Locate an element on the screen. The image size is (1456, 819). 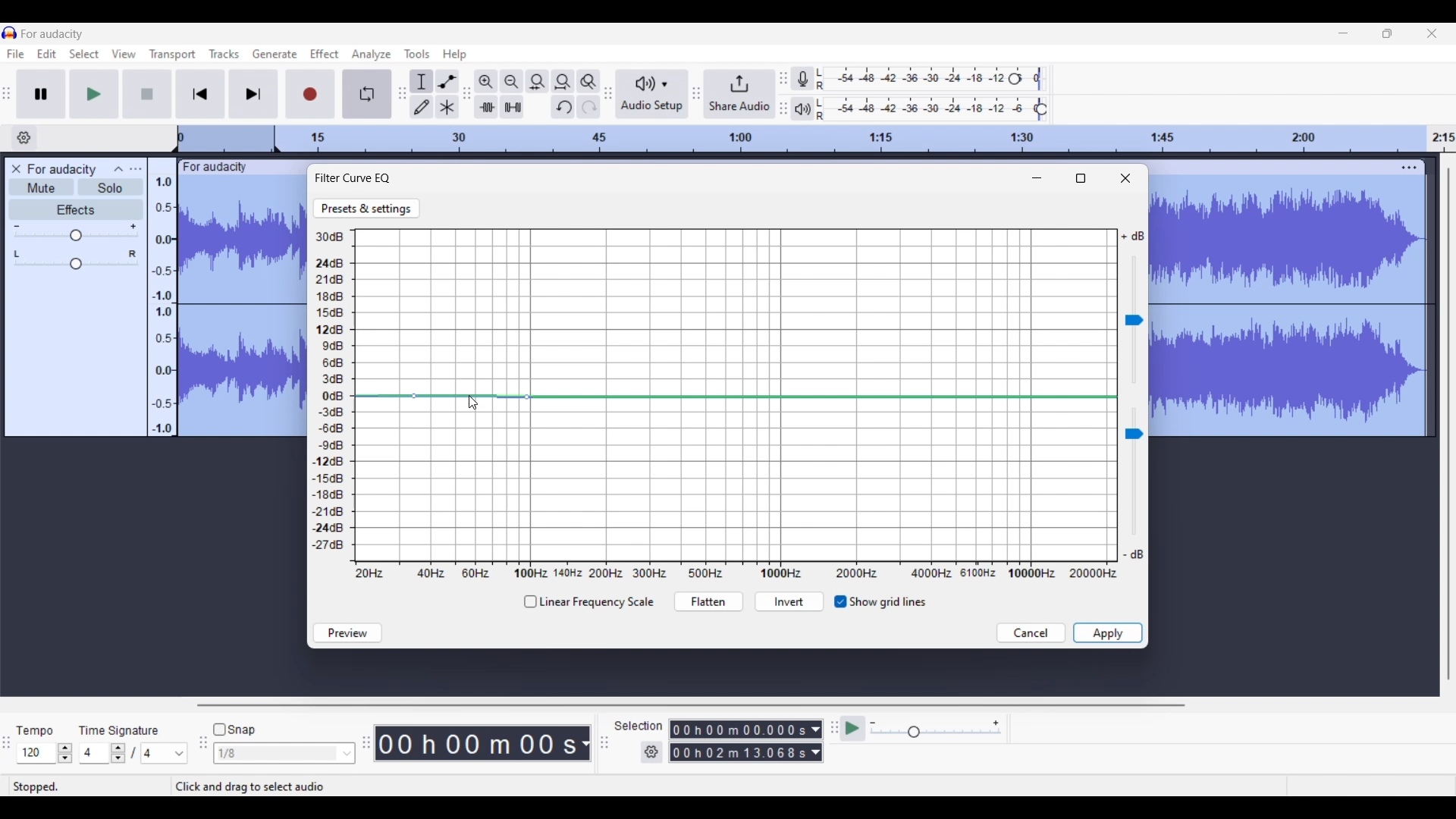
Track selected is located at coordinates (243, 307).